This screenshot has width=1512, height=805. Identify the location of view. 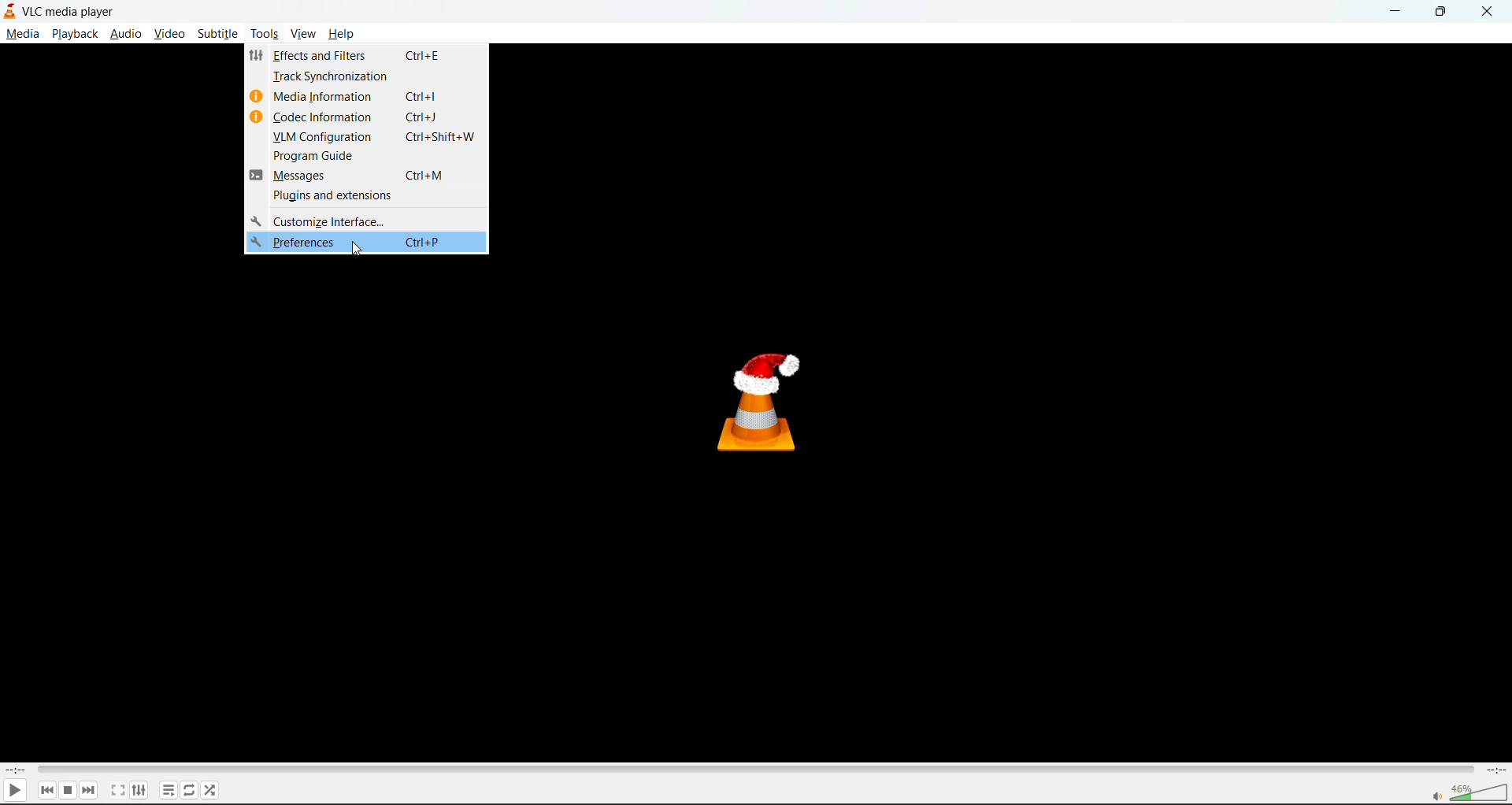
(303, 34).